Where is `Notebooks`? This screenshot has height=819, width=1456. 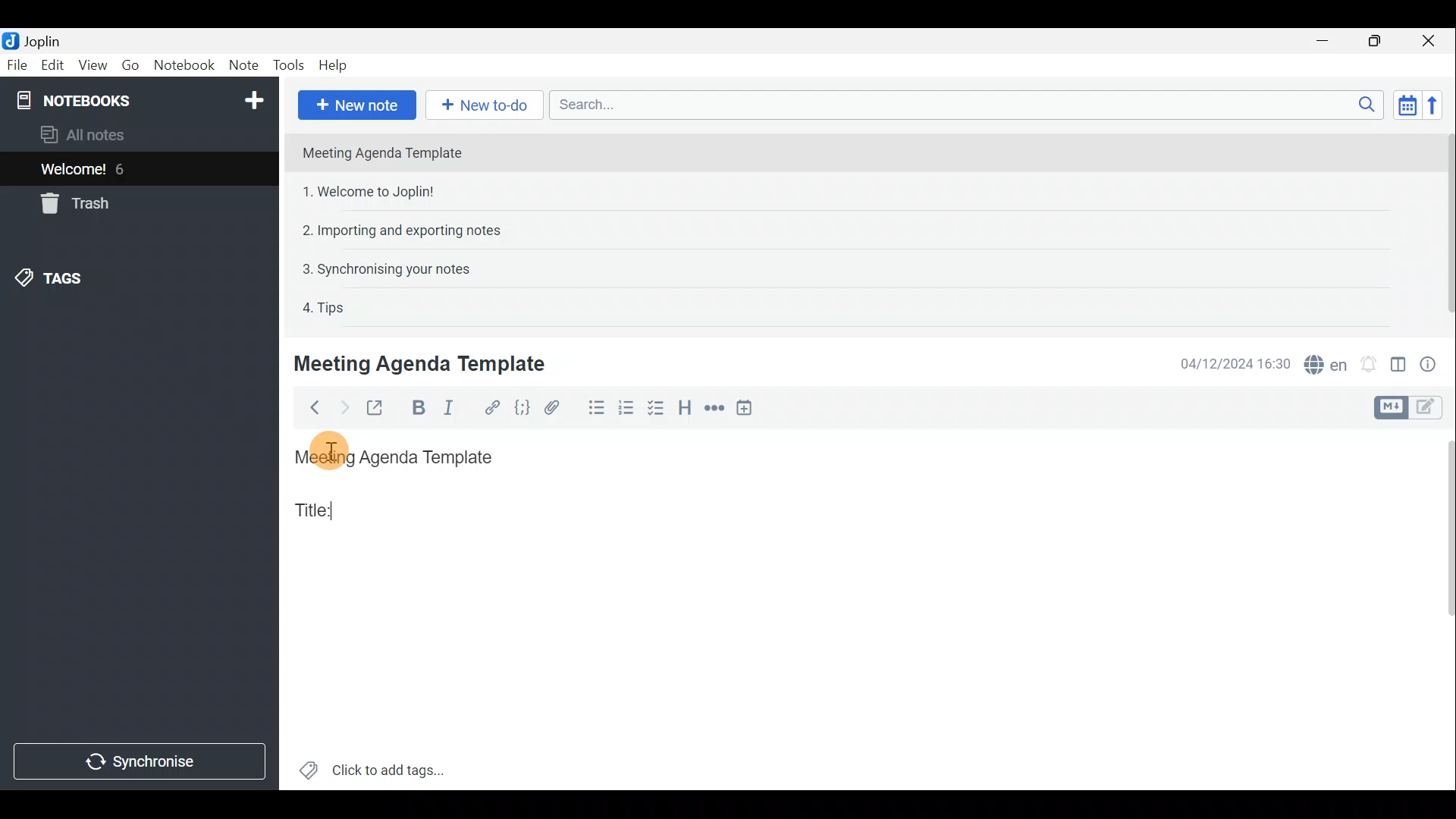 Notebooks is located at coordinates (142, 99).